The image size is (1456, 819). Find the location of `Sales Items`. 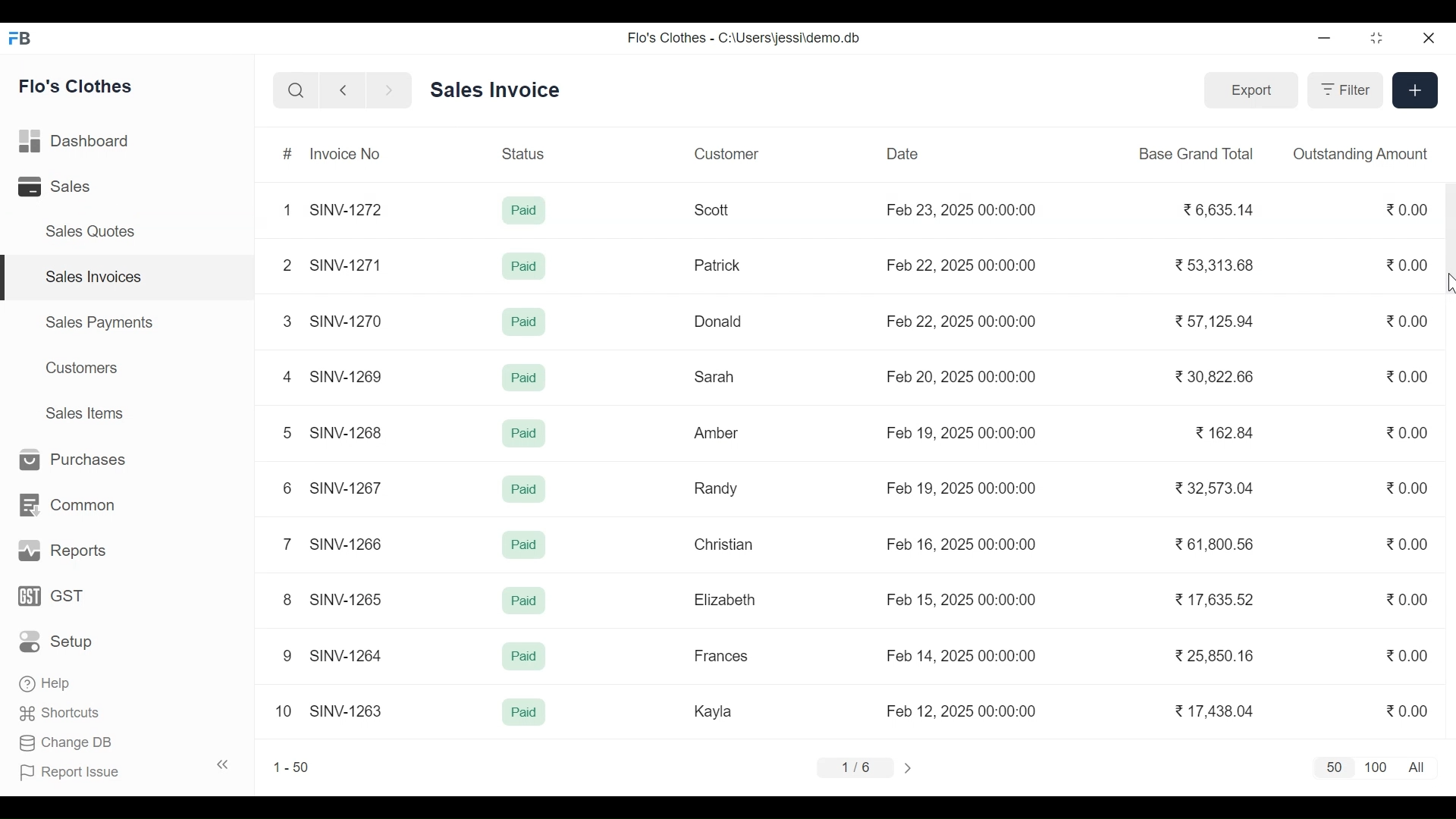

Sales Items is located at coordinates (83, 413).